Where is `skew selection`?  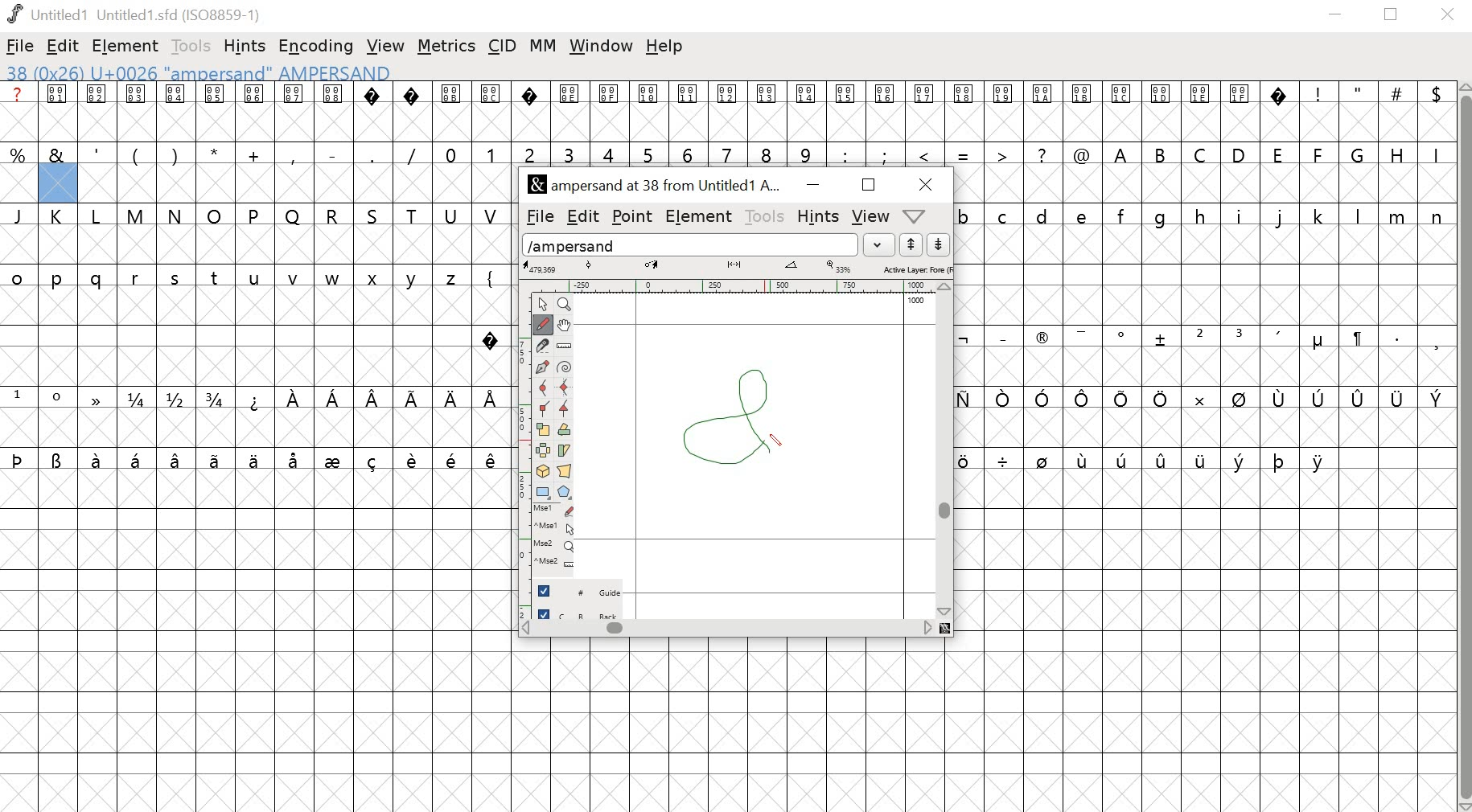 skew selection is located at coordinates (566, 450).